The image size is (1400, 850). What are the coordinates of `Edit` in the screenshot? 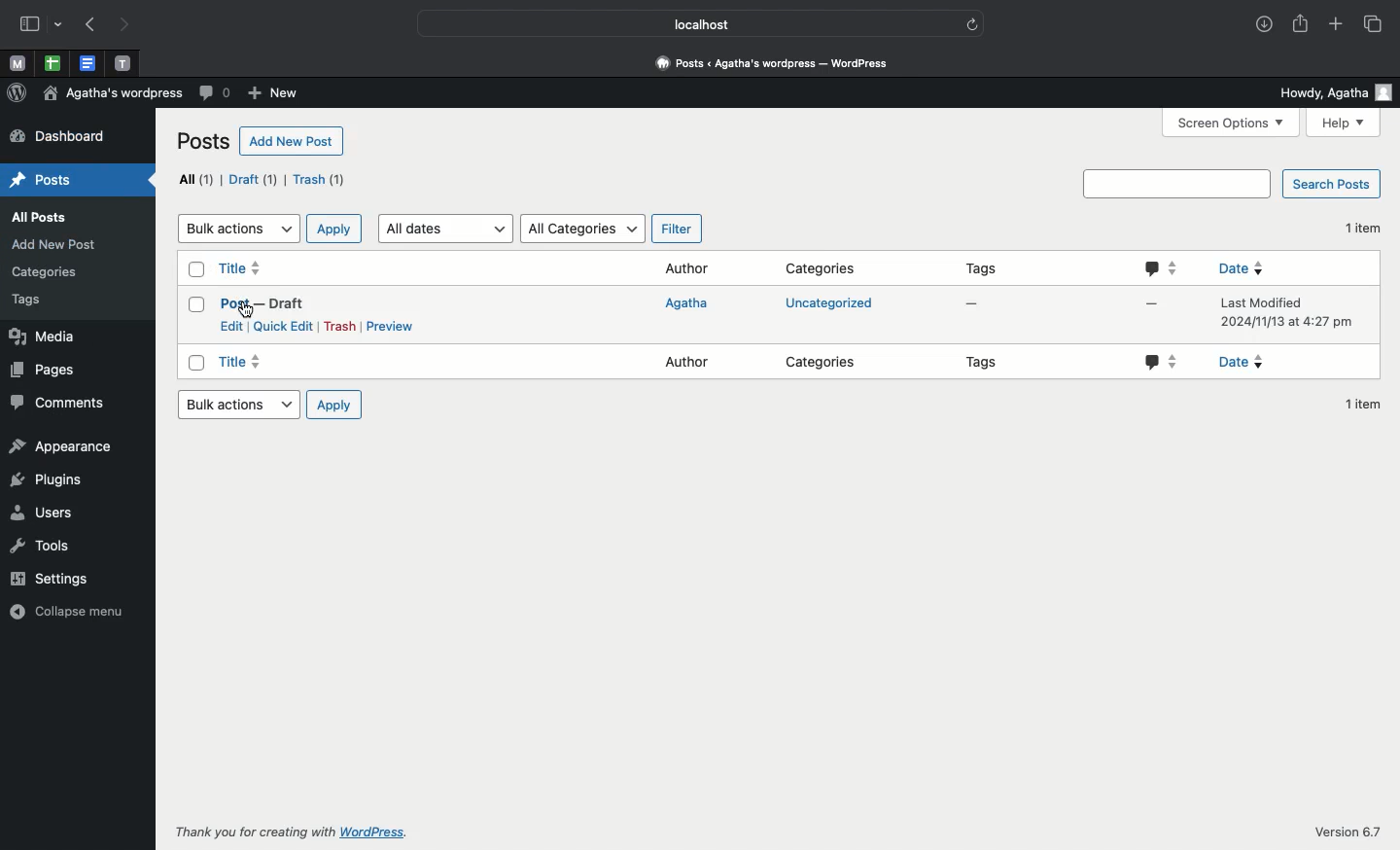 It's located at (233, 326).